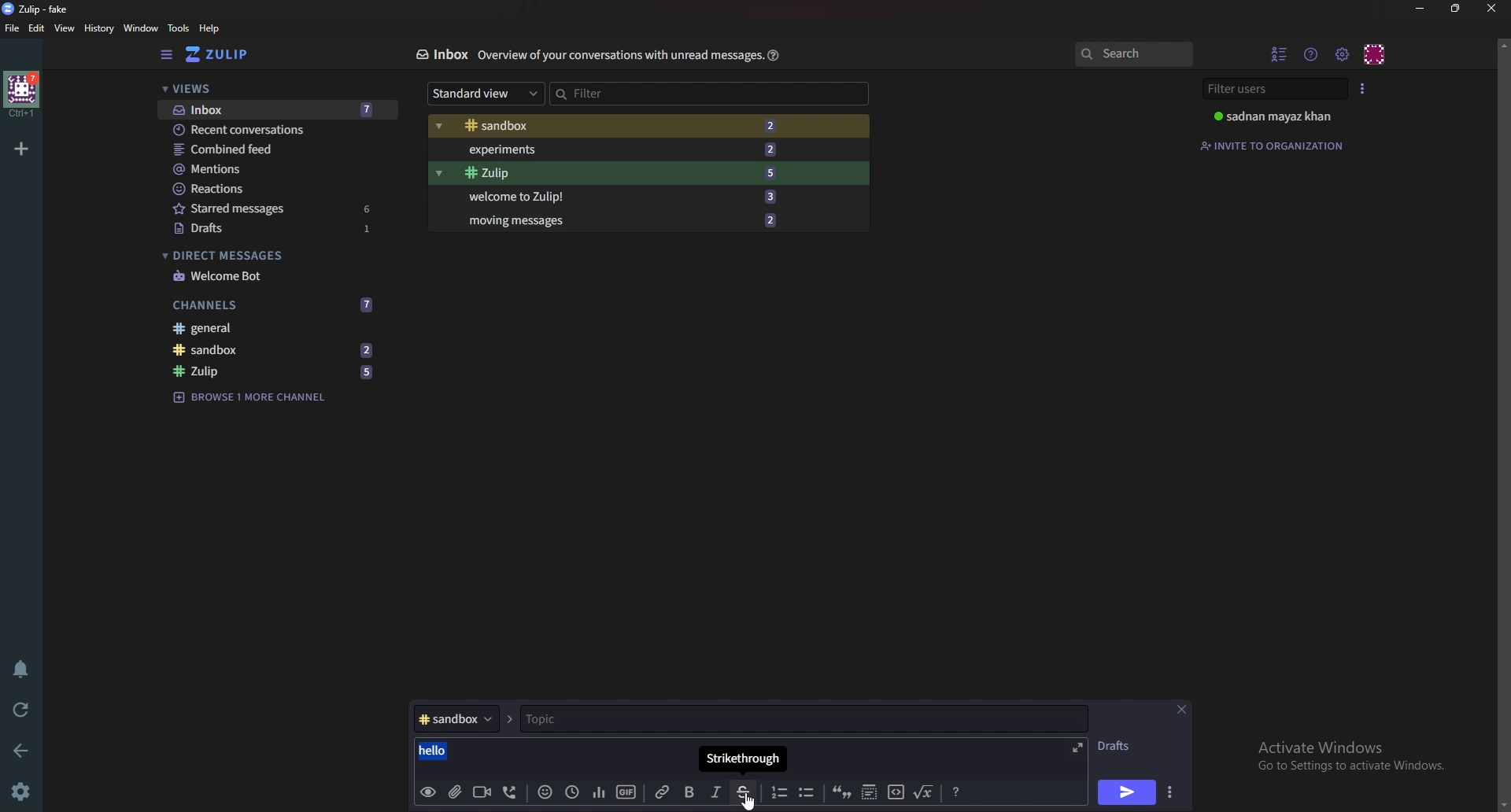 This screenshot has height=812, width=1511. I want to click on Direct messages, so click(269, 254).